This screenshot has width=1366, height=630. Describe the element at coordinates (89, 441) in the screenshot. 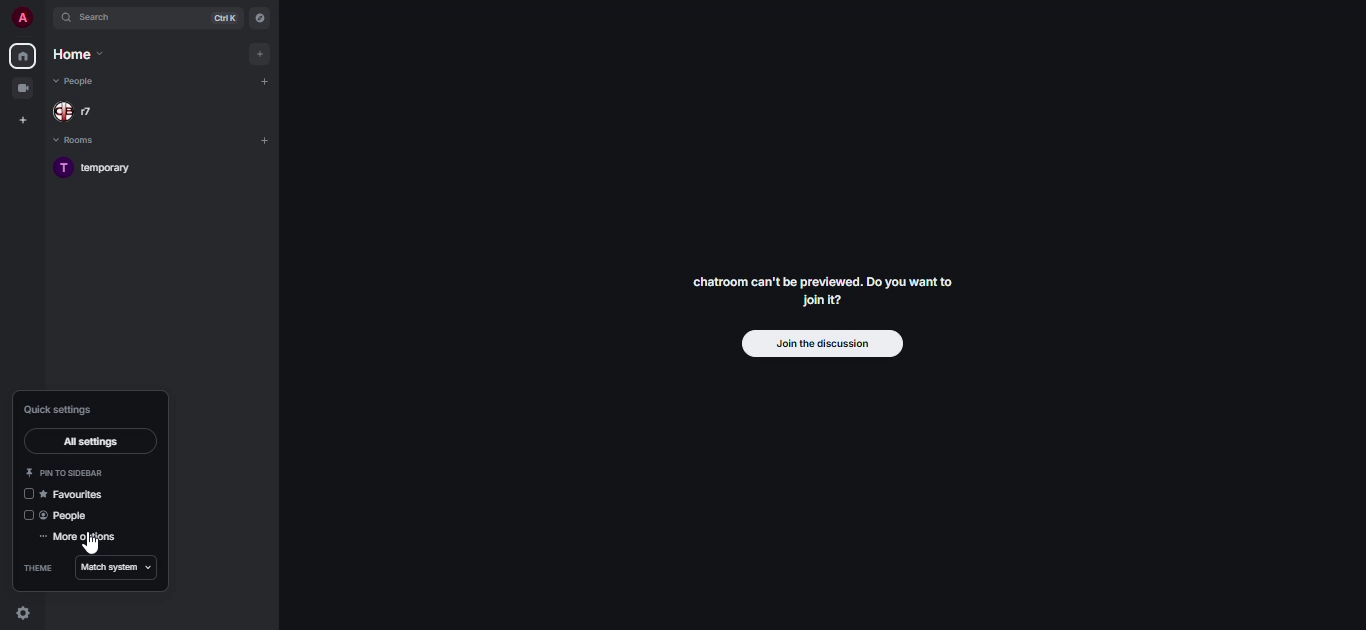

I see `all settings` at that location.